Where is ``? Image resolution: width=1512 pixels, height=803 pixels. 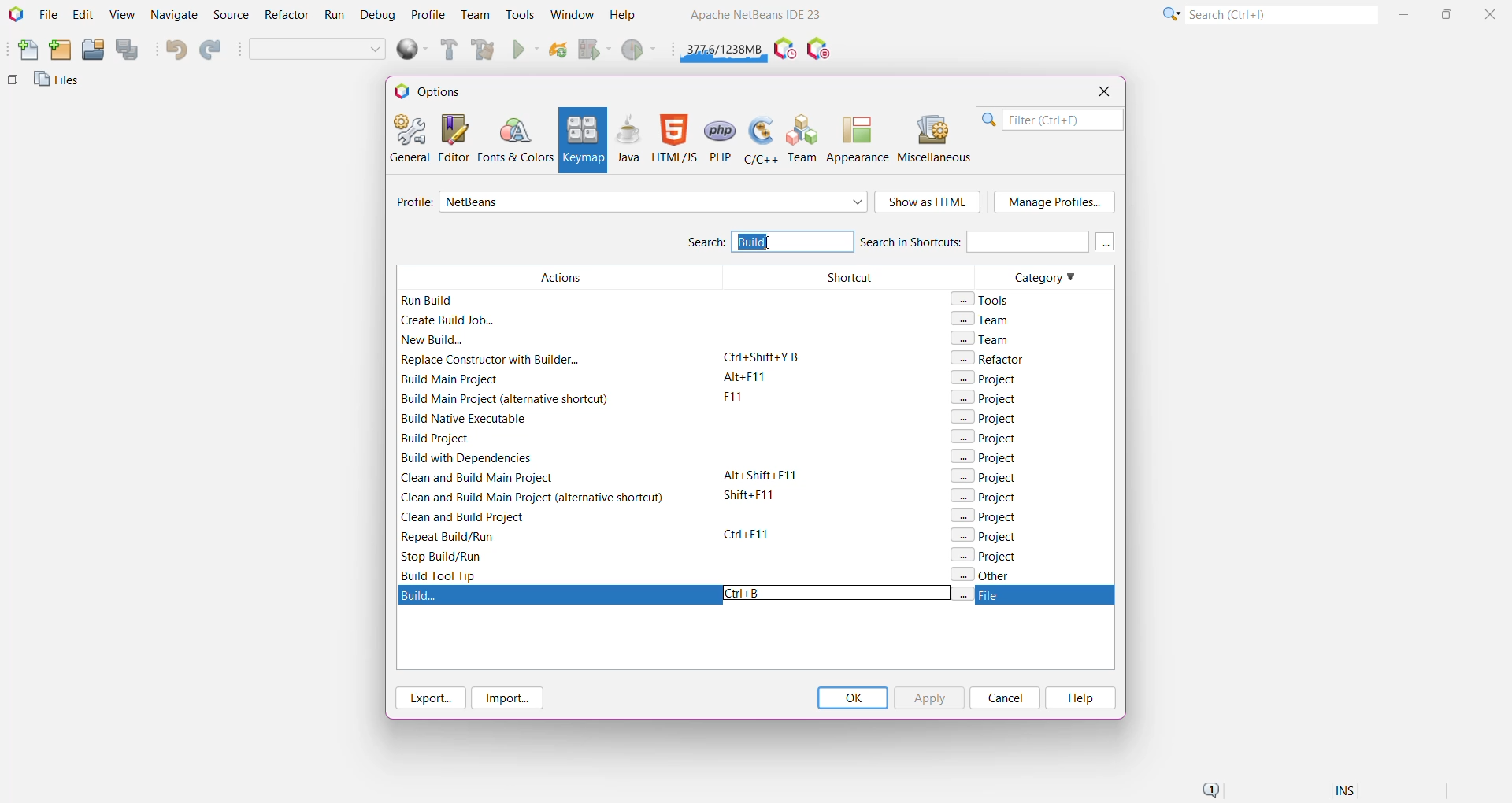
 is located at coordinates (412, 50).